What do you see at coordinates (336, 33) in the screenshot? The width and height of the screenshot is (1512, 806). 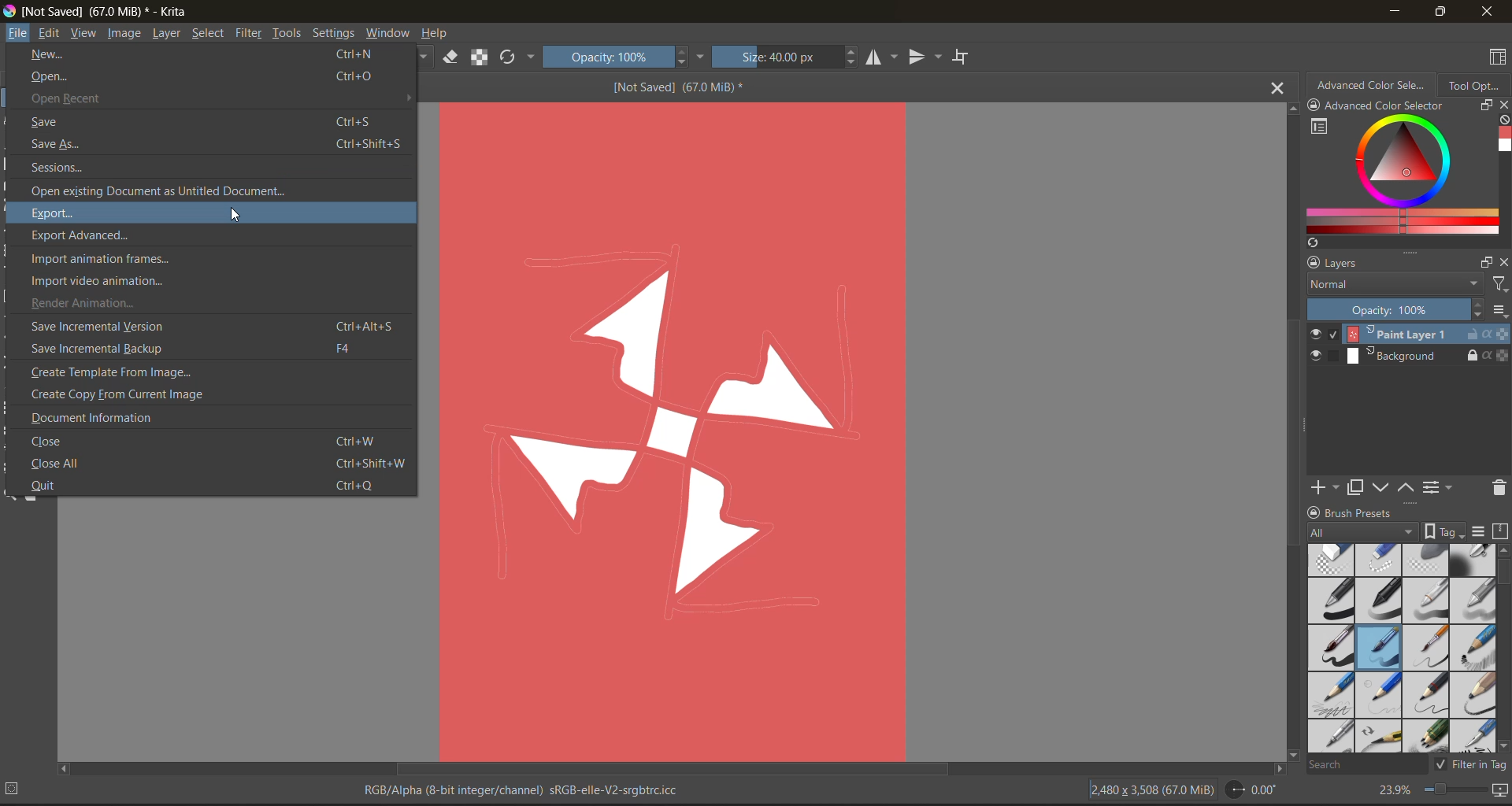 I see `settings` at bounding box center [336, 33].